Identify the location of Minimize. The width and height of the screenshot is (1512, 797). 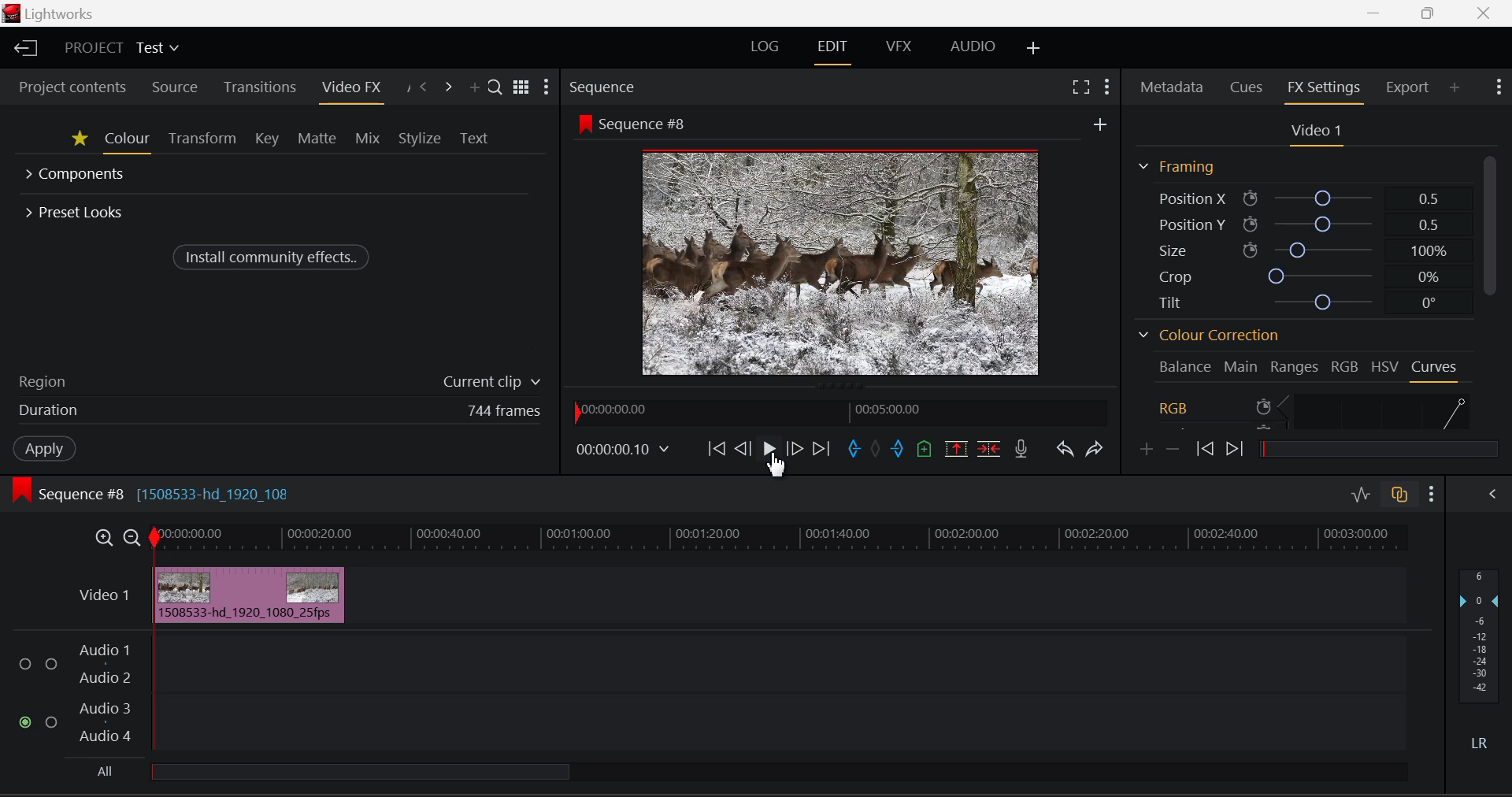
(1429, 13).